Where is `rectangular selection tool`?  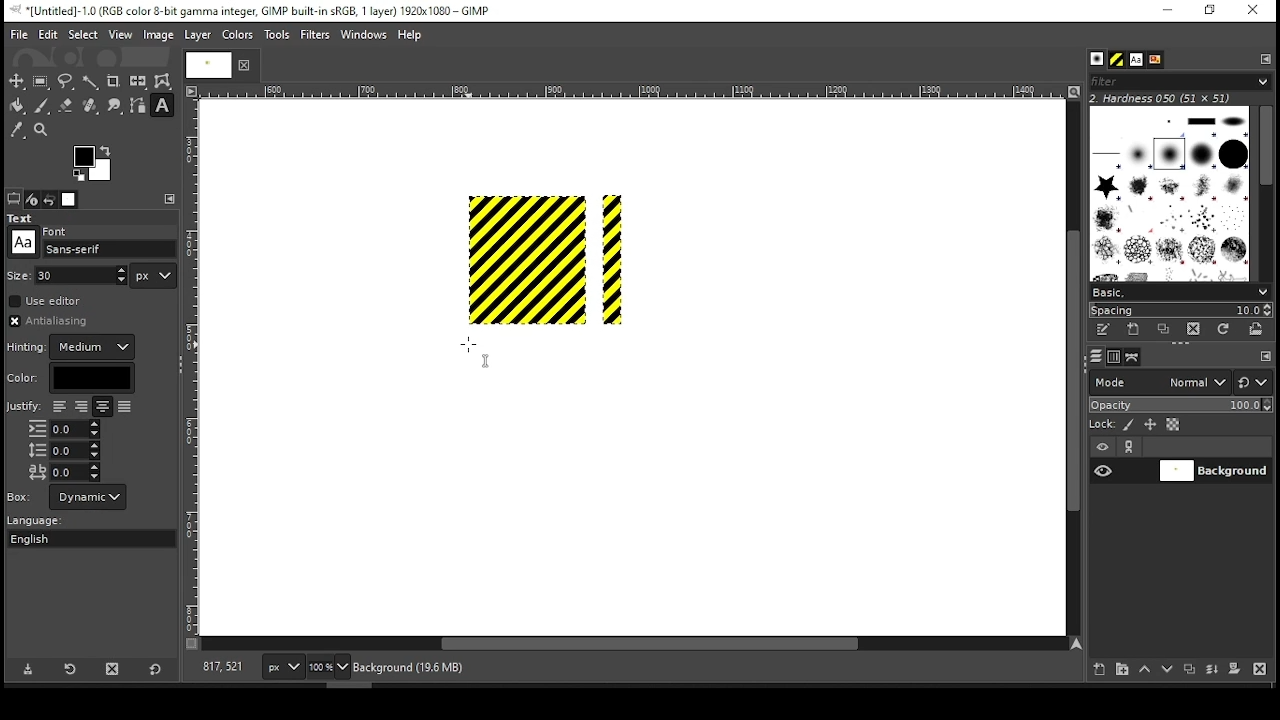 rectangular selection tool is located at coordinates (43, 81).